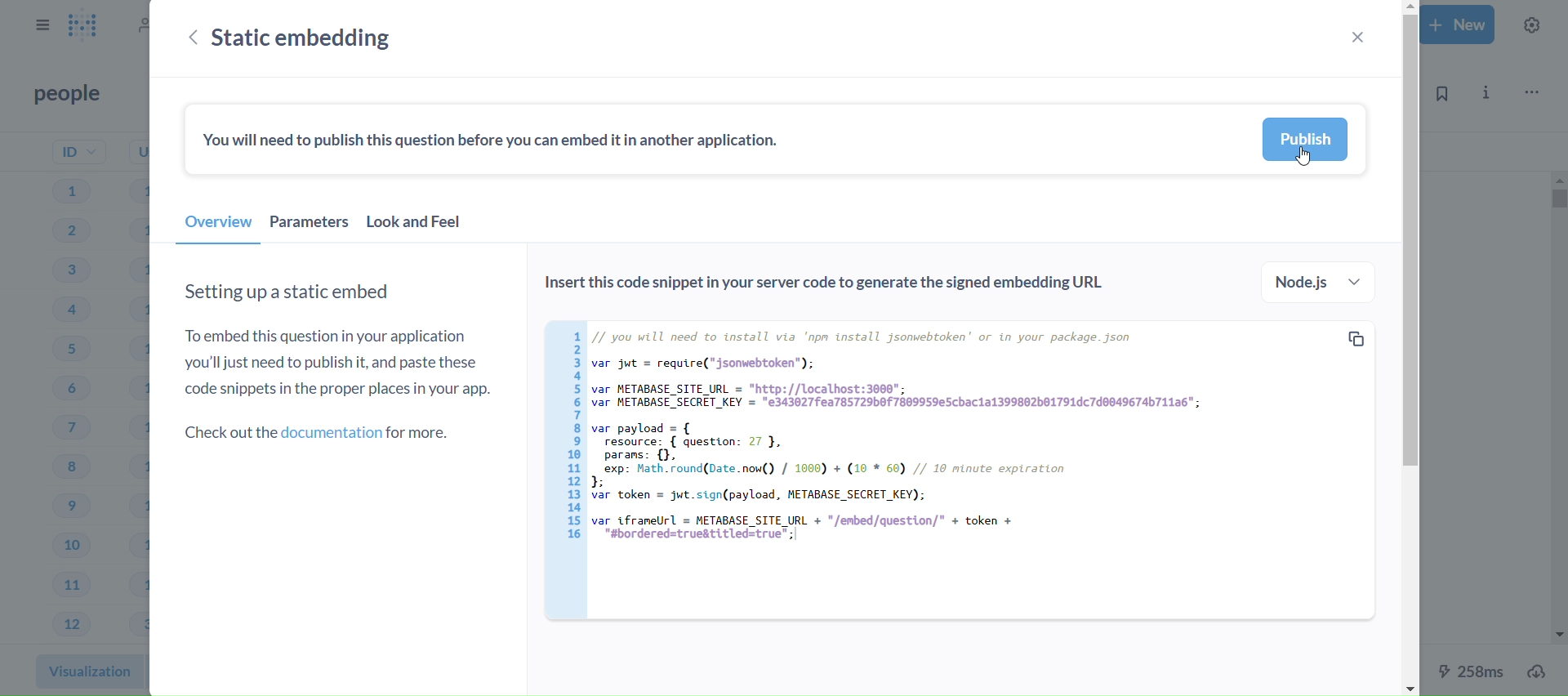 This screenshot has width=1568, height=696. Describe the element at coordinates (1356, 37) in the screenshot. I see `close` at that location.